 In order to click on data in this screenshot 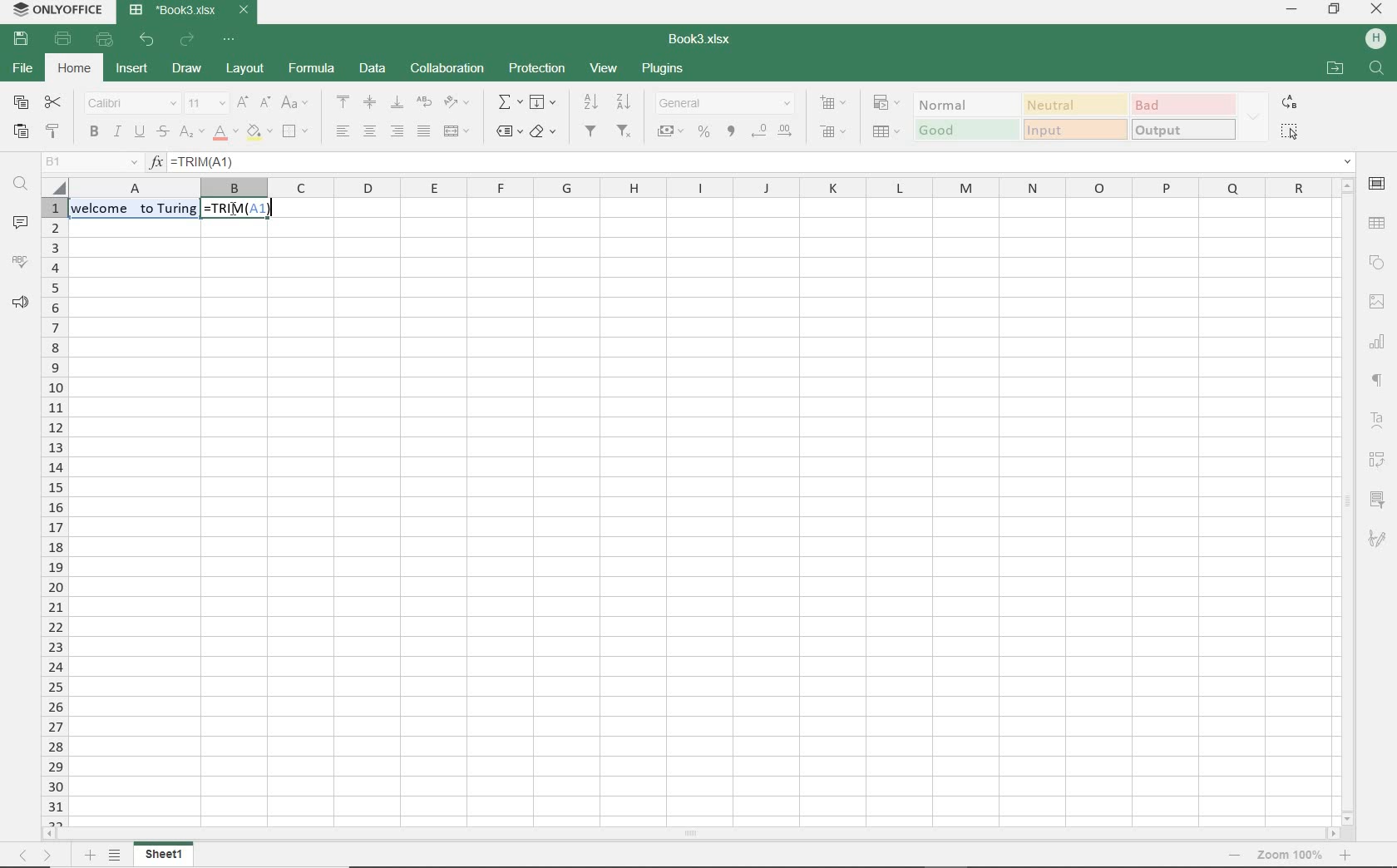, I will do `click(370, 70)`.